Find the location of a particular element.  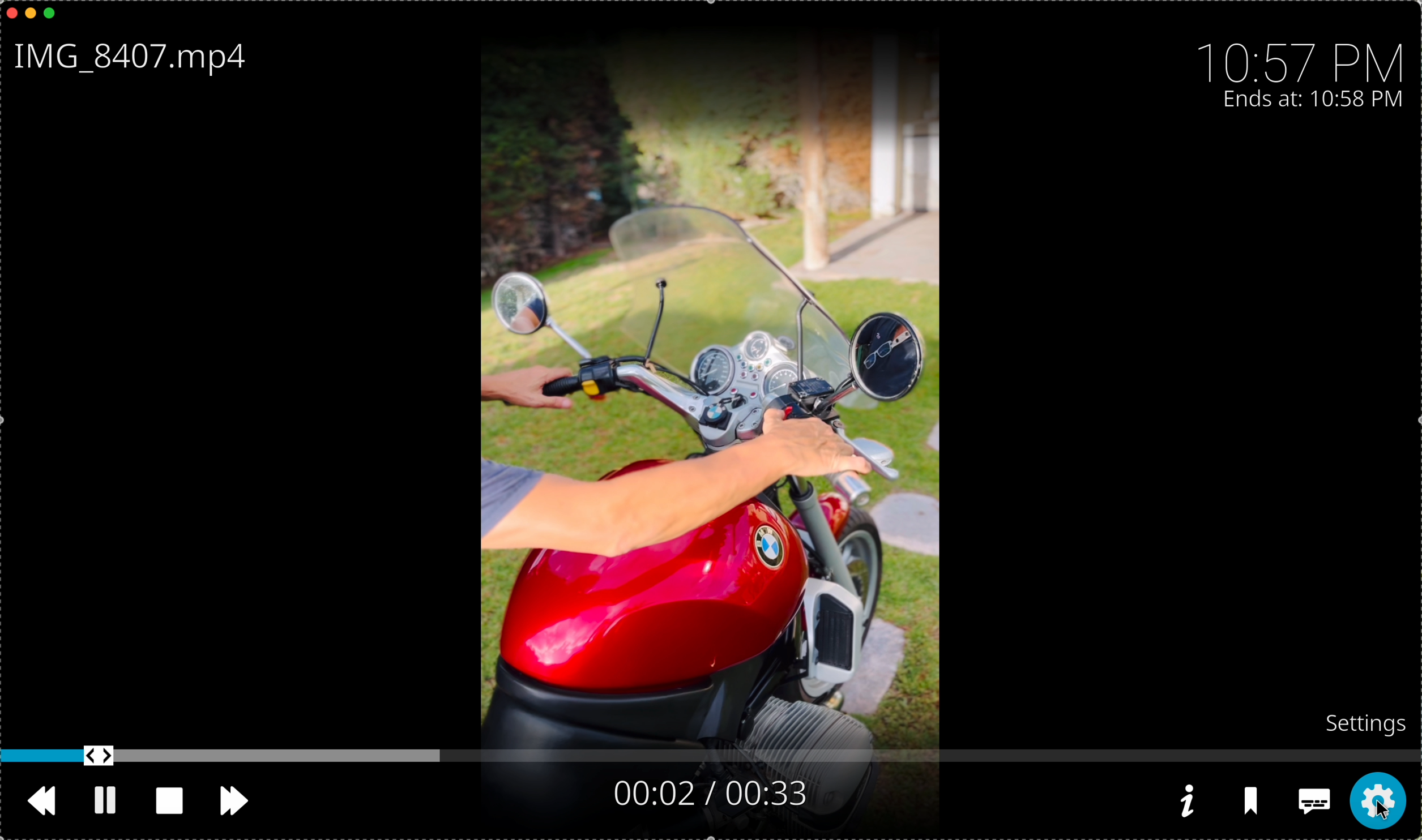

00:02 / 00:55 is located at coordinates (725, 794).